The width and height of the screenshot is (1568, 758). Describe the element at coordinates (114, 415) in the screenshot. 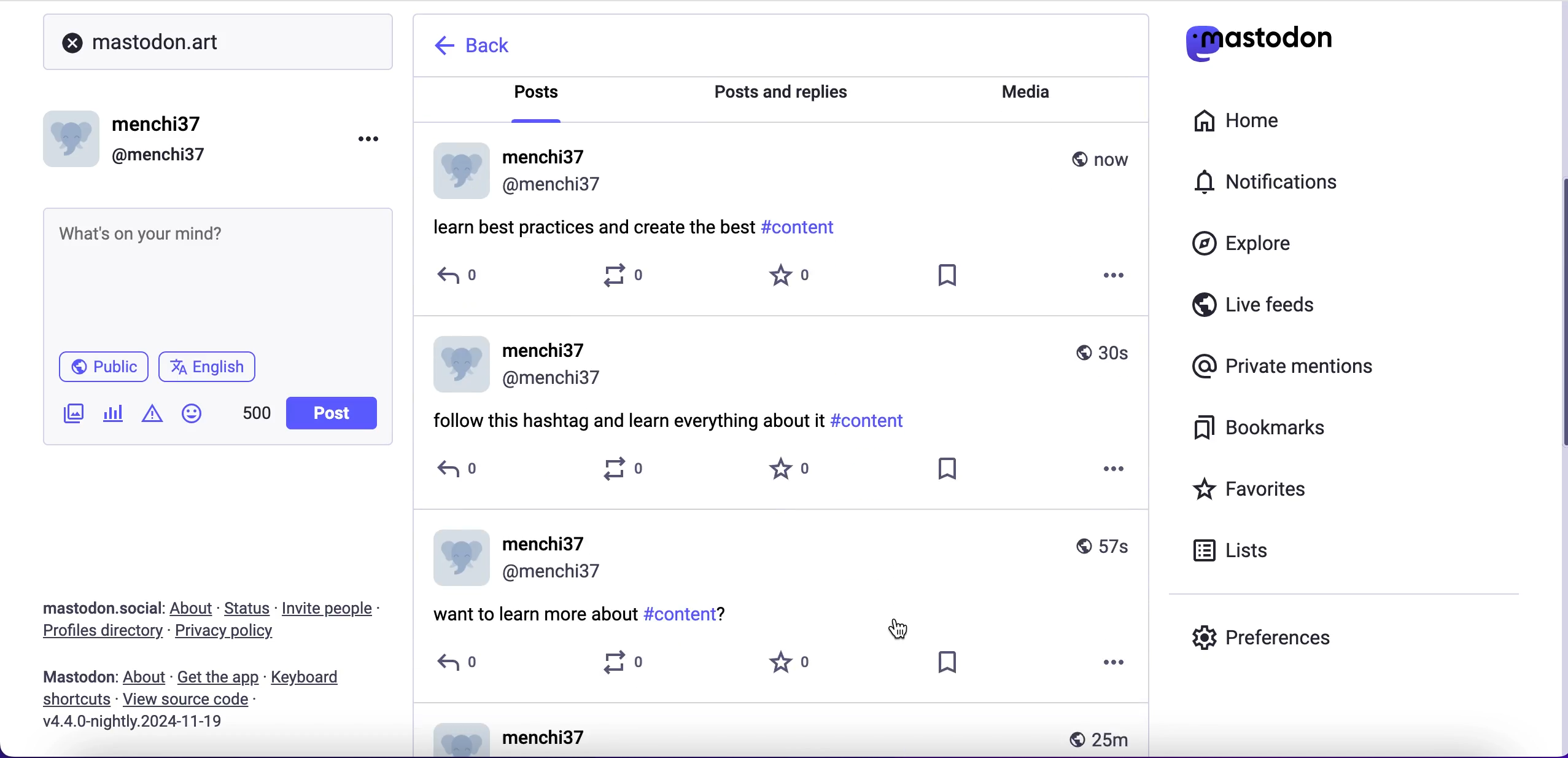

I see `add poll` at that location.